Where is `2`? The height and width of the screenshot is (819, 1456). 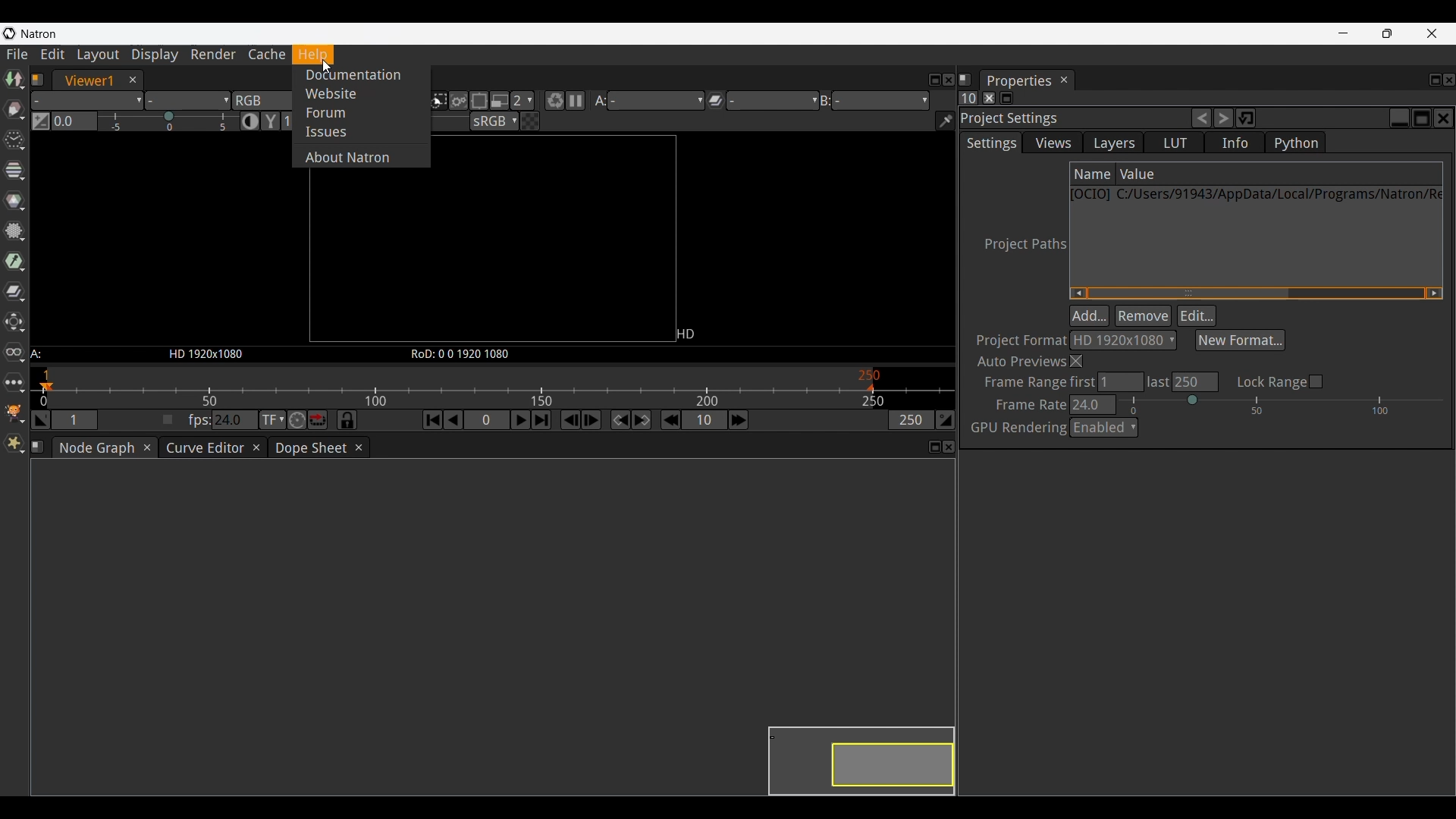 2 is located at coordinates (522, 100).